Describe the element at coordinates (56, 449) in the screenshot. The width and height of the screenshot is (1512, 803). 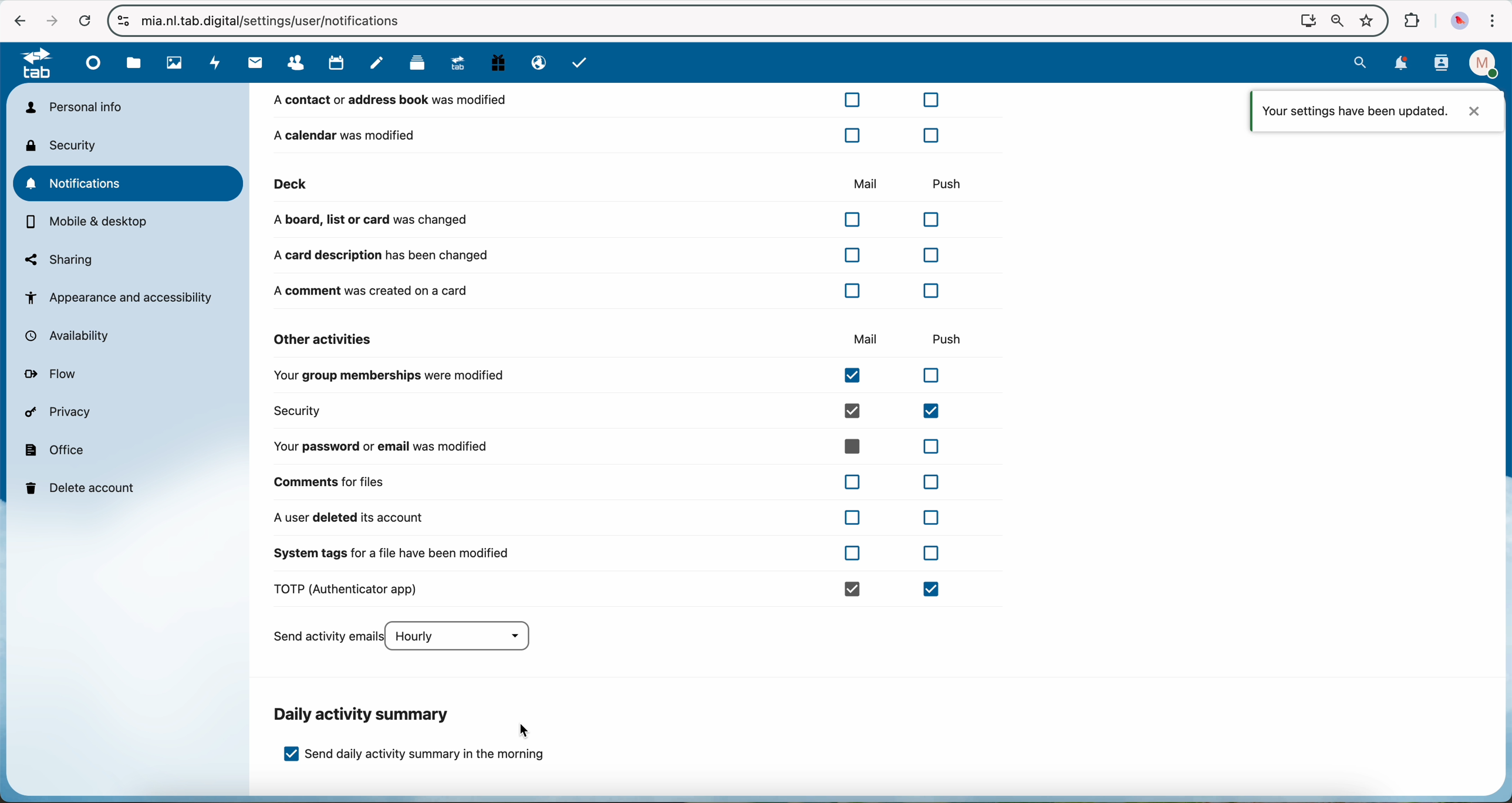
I see `office` at that location.